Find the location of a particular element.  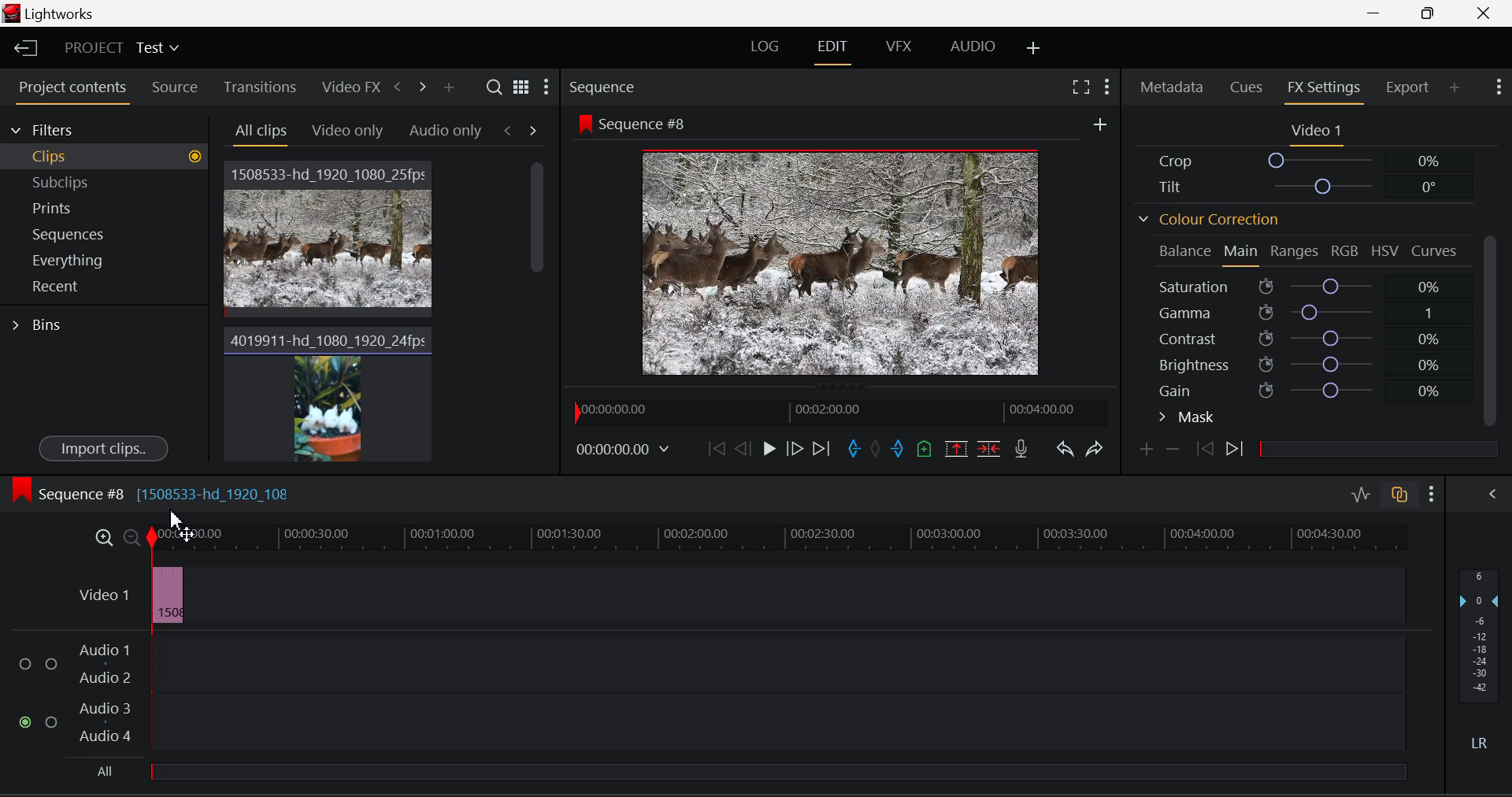

Subclips is located at coordinates (114, 182).